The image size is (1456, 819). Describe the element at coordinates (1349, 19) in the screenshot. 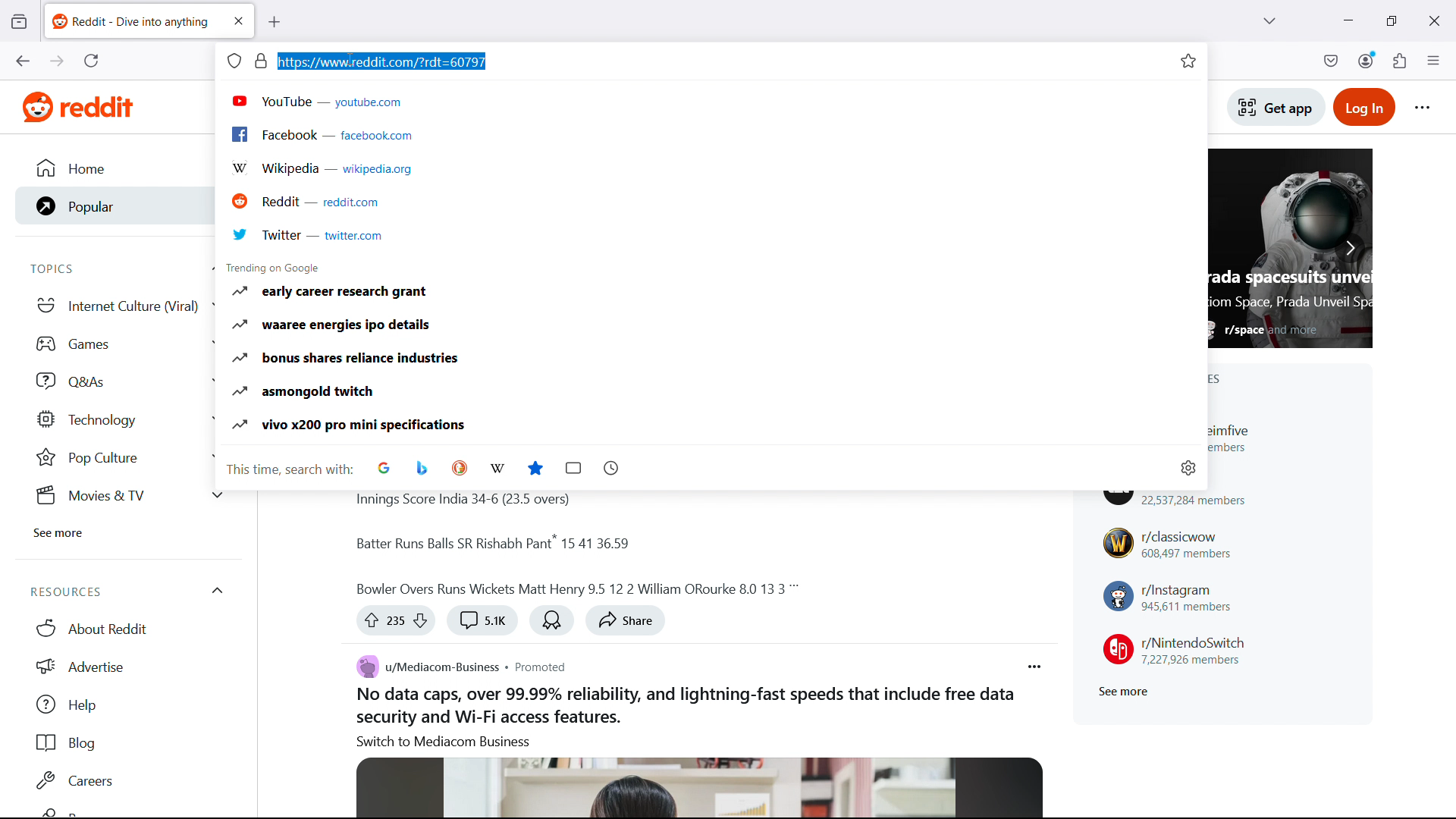

I see `minimize` at that location.